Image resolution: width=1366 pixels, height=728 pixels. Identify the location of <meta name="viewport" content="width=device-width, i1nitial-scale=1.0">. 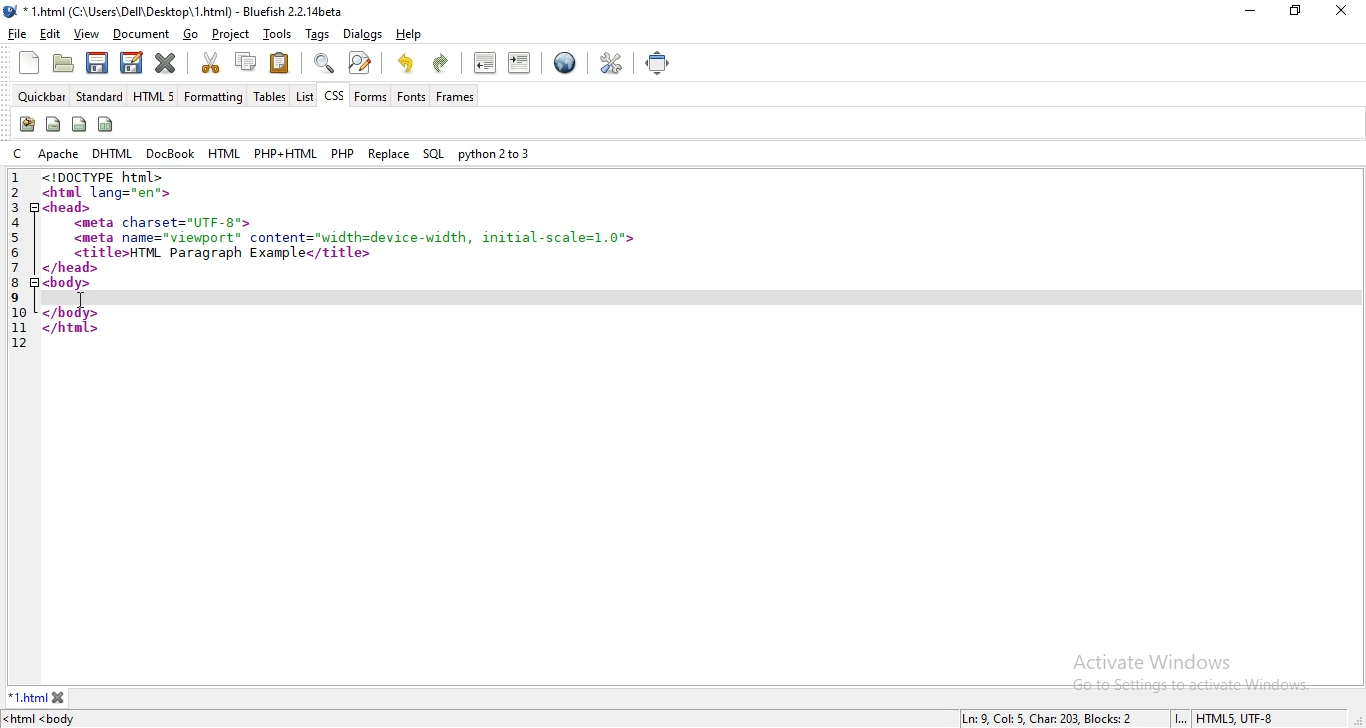
(356, 239).